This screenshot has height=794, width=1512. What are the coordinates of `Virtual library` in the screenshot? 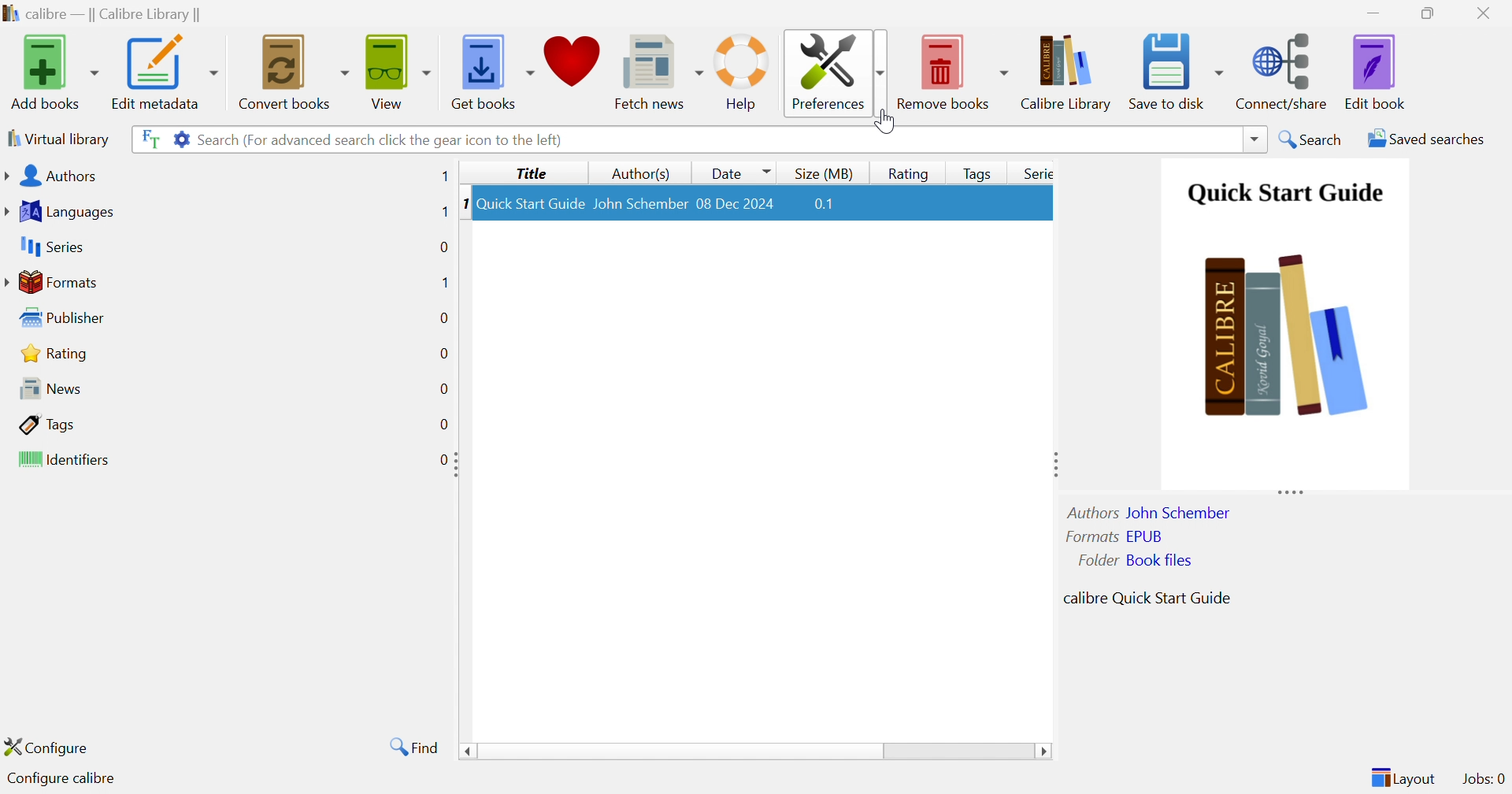 It's located at (57, 138).